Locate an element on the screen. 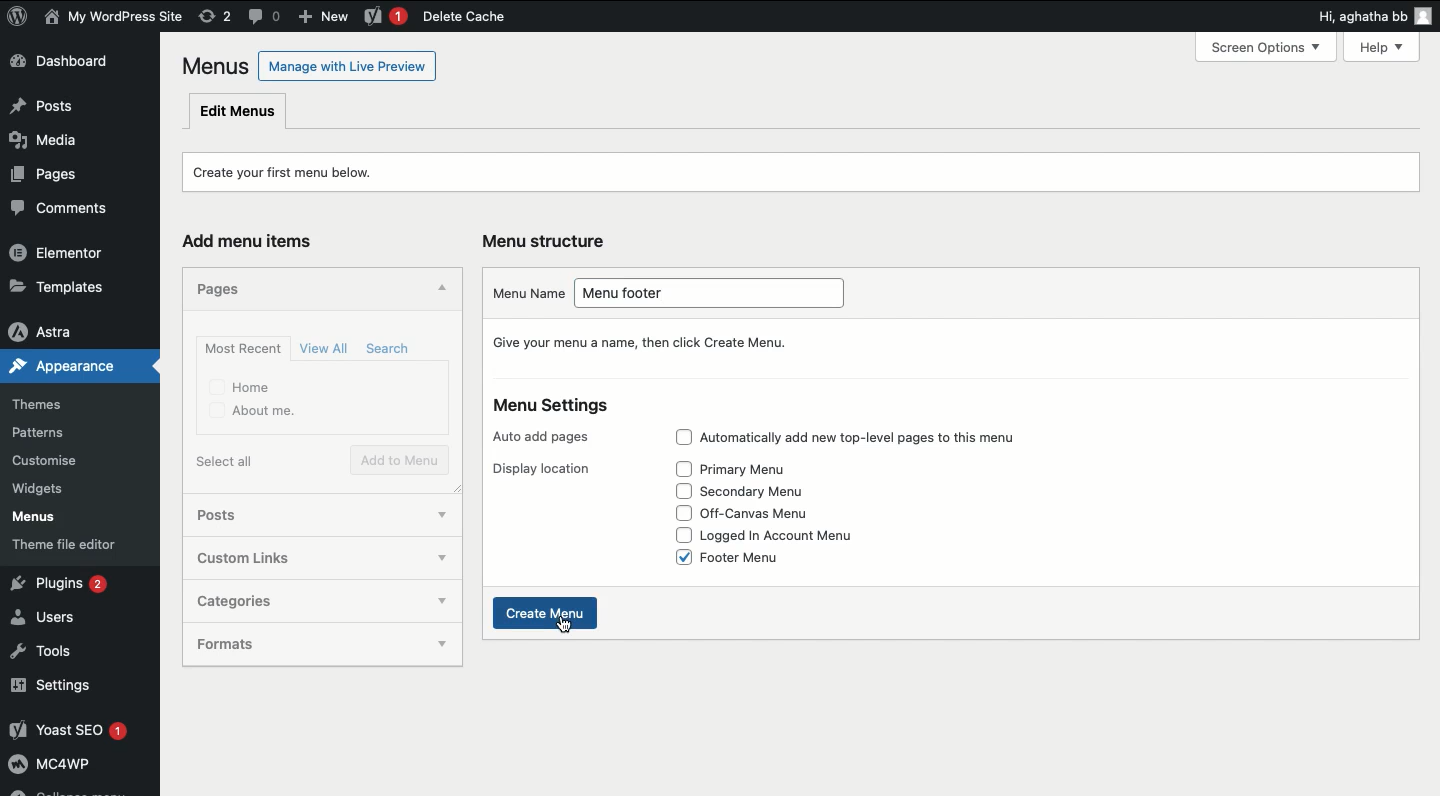 The width and height of the screenshot is (1440, 796). show is located at coordinates (440, 645).